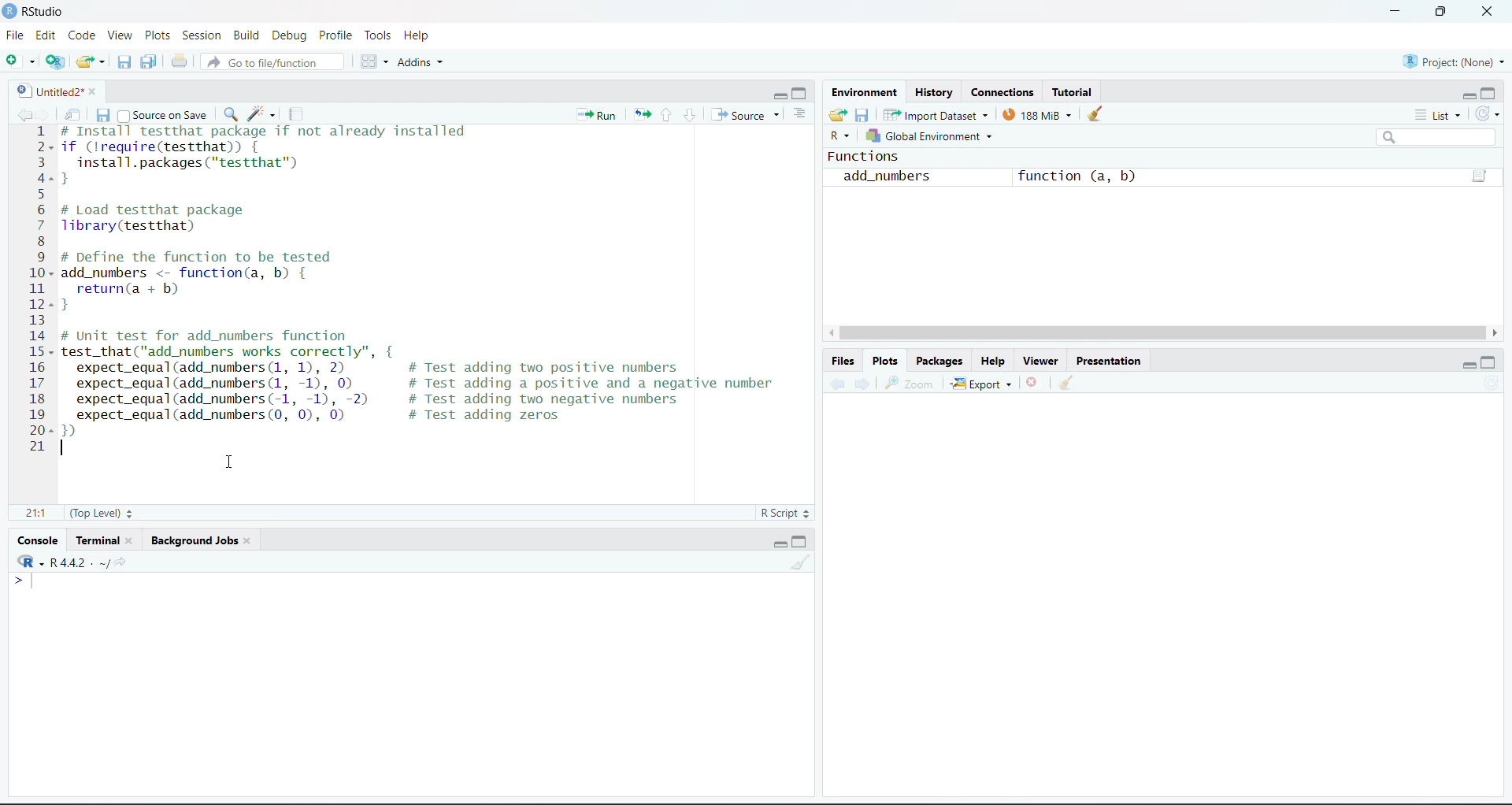 This screenshot has width=1512, height=805. I want to click on show document outline, so click(799, 113).